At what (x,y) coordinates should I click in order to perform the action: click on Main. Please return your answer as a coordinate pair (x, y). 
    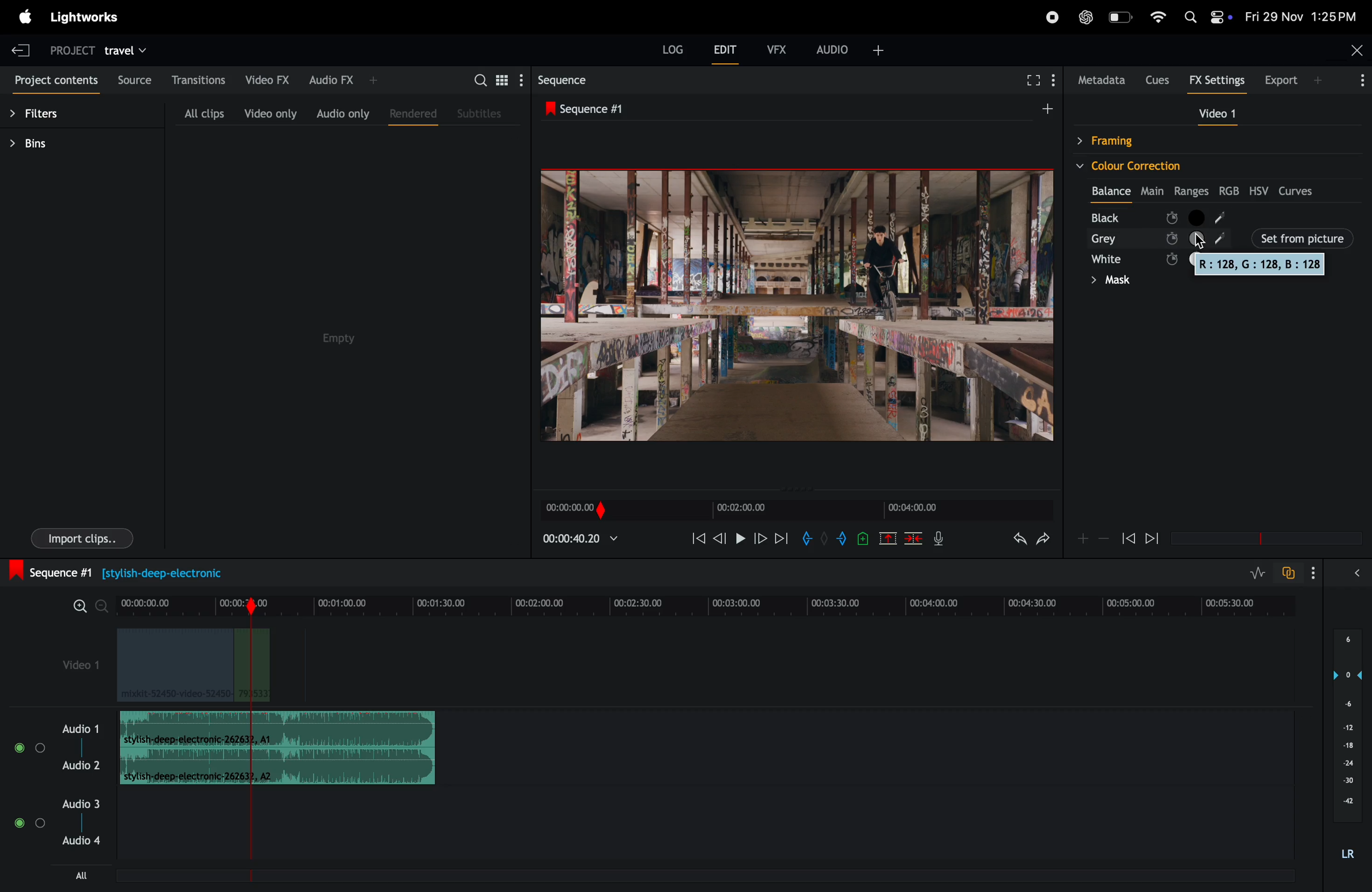
    Looking at the image, I should click on (1154, 189).